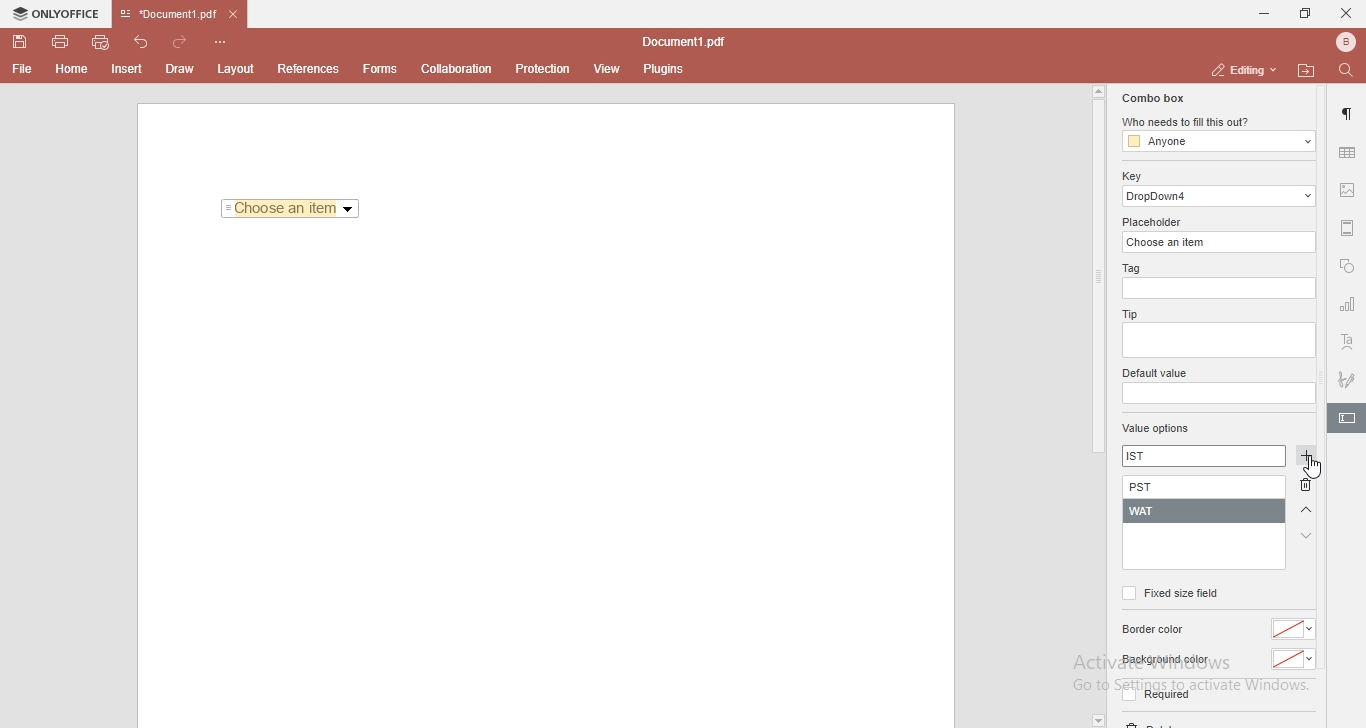 The image size is (1366, 728). What do you see at coordinates (1154, 698) in the screenshot?
I see `required` at bounding box center [1154, 698].